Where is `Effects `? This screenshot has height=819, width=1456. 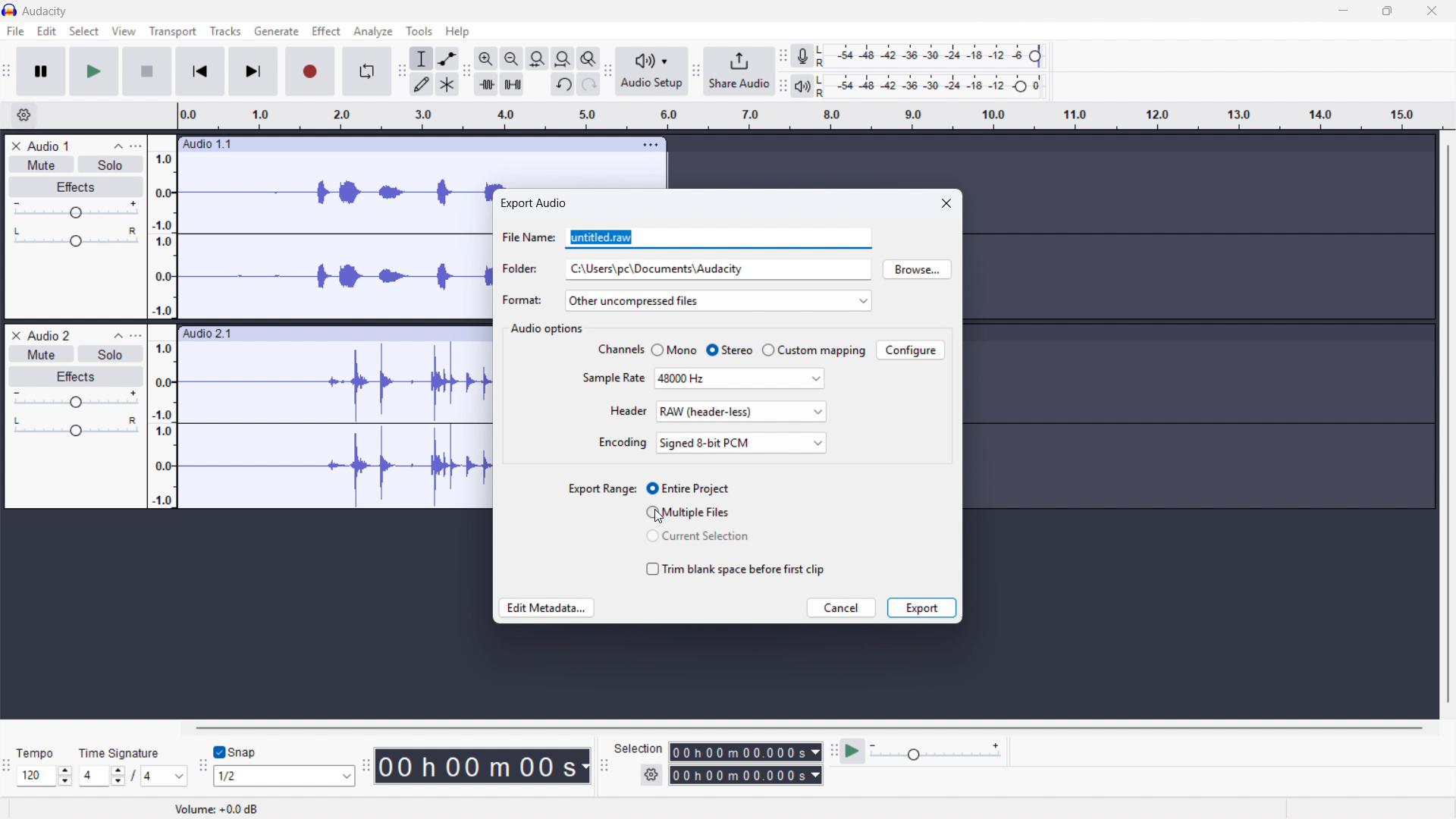 Effects  is located at coordinates (76, 187).